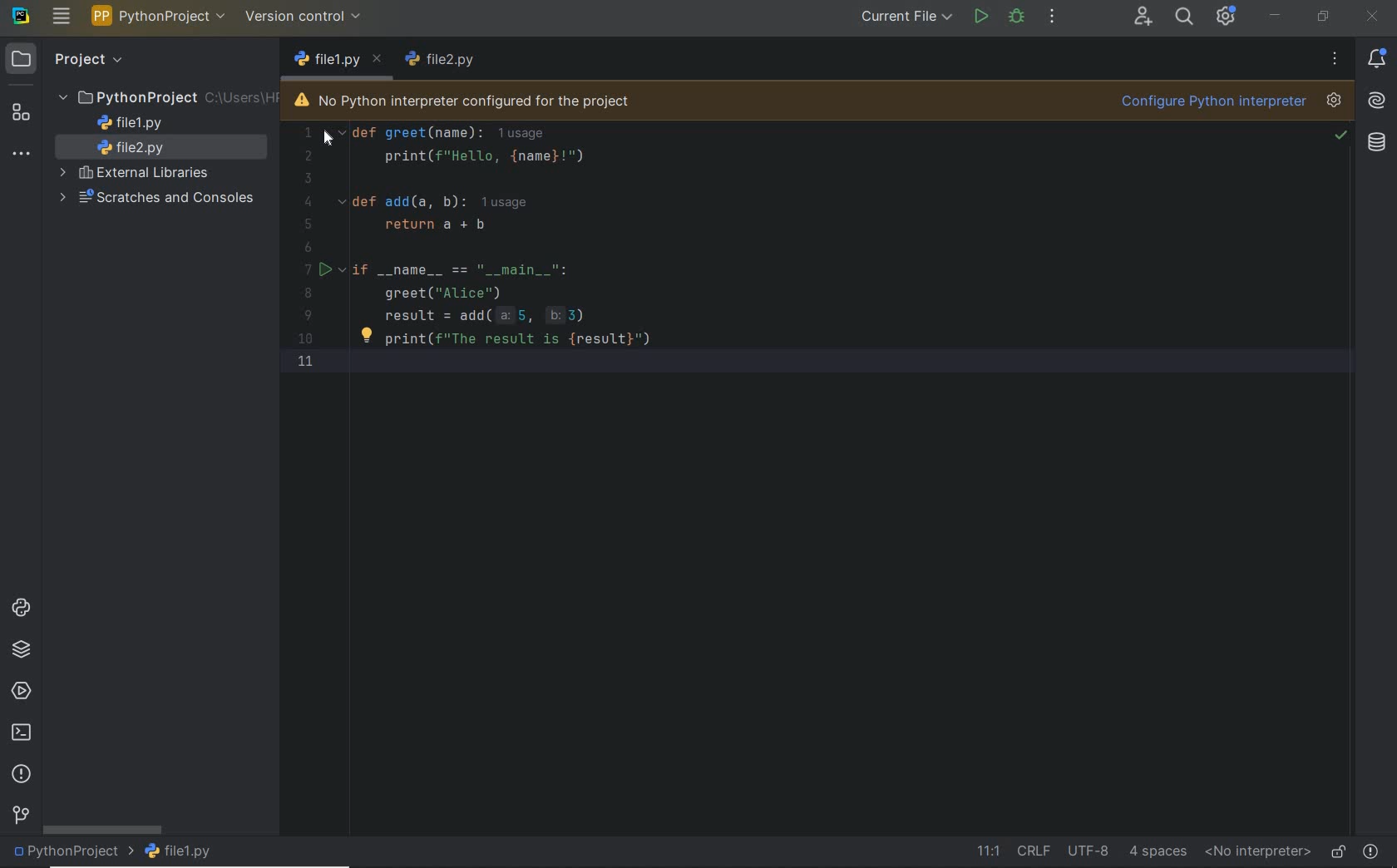 The image size is (1397, 868). Describe the element at coordinates (67, 60) in the screenshot. I see `project` at that location.